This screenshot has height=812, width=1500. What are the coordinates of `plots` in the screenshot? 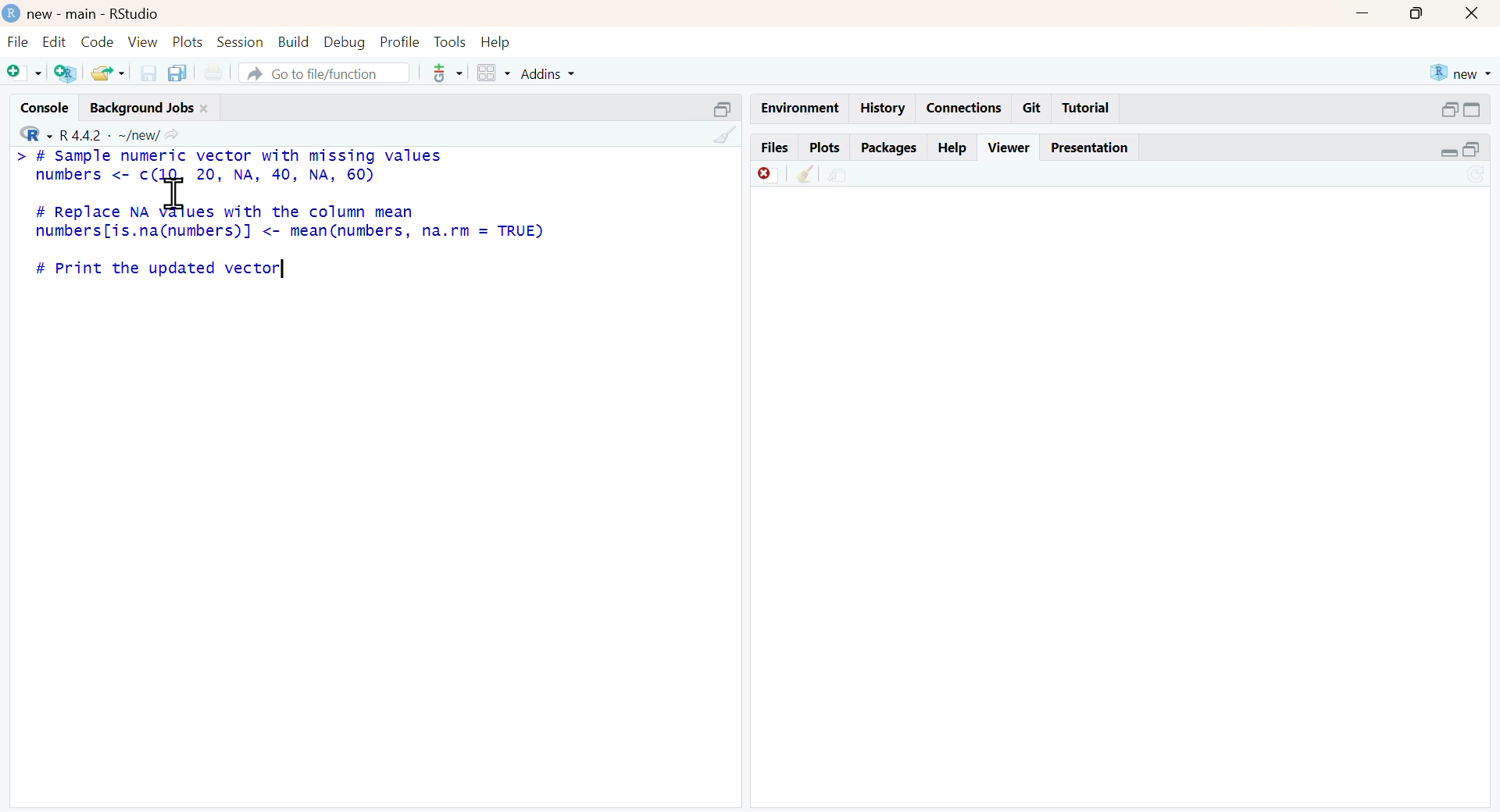 It's located at (827, 148).